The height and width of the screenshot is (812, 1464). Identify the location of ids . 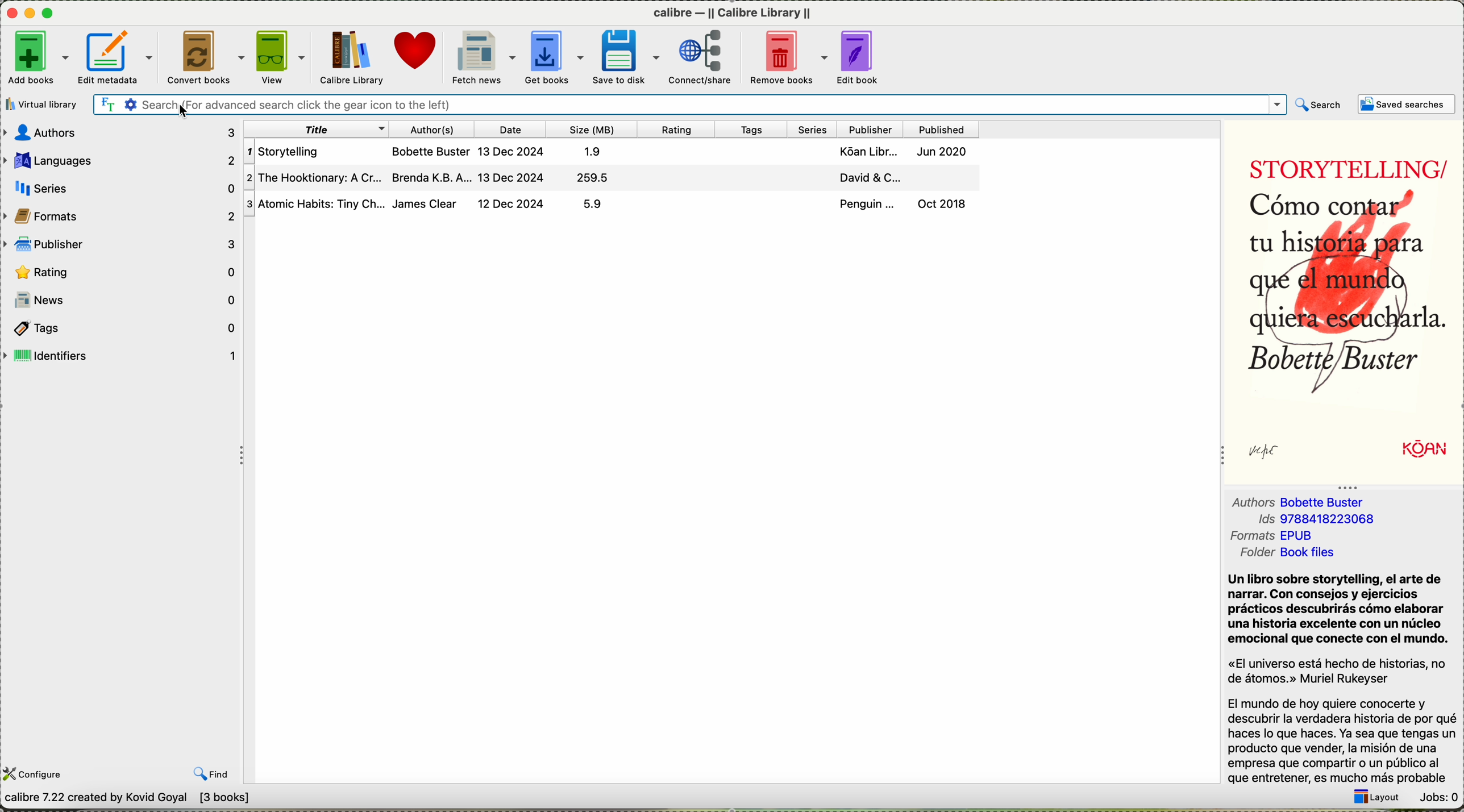
(1253, 520).